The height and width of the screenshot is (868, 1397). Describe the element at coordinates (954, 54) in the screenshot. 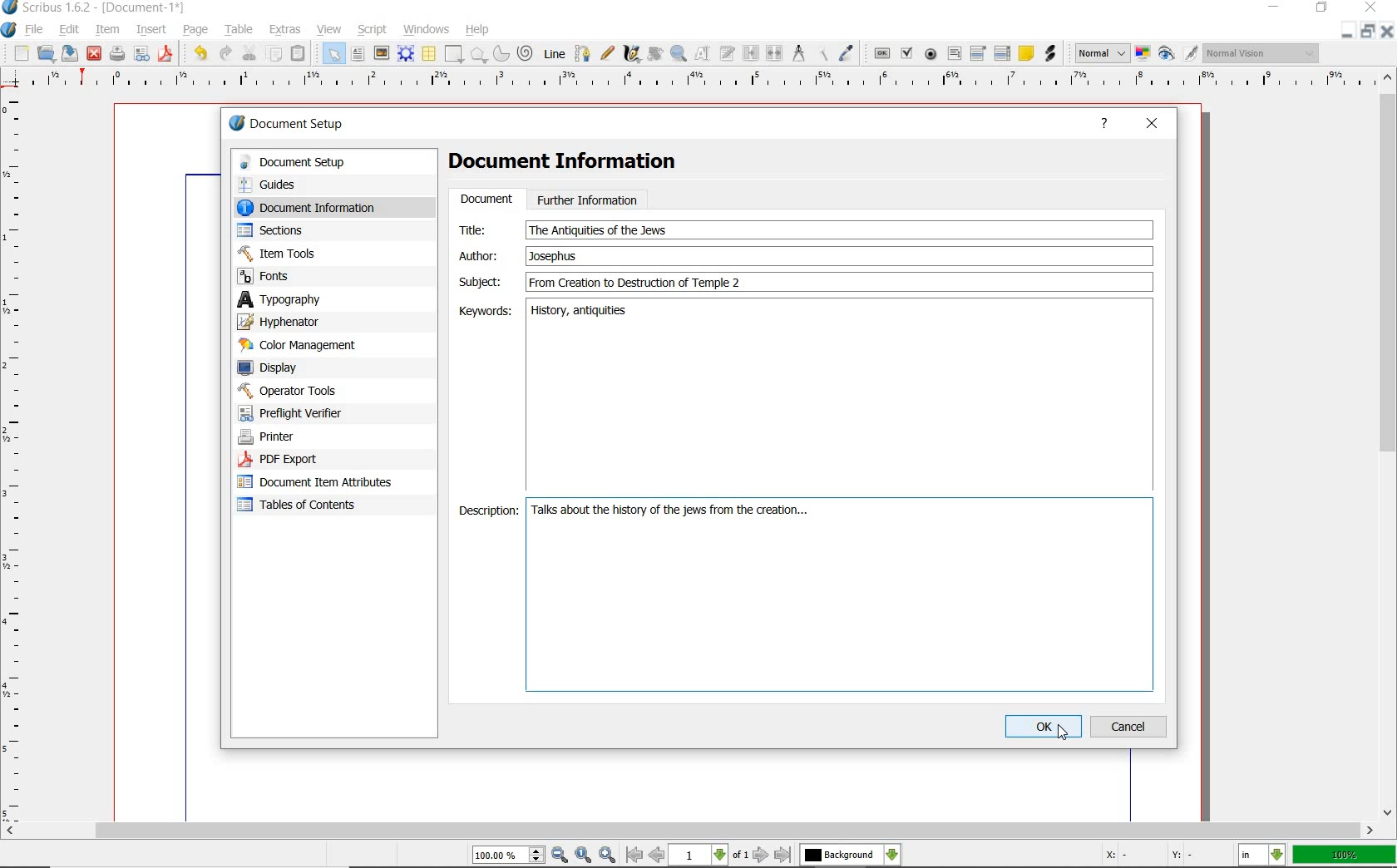

I see `pdf text field` at that location.